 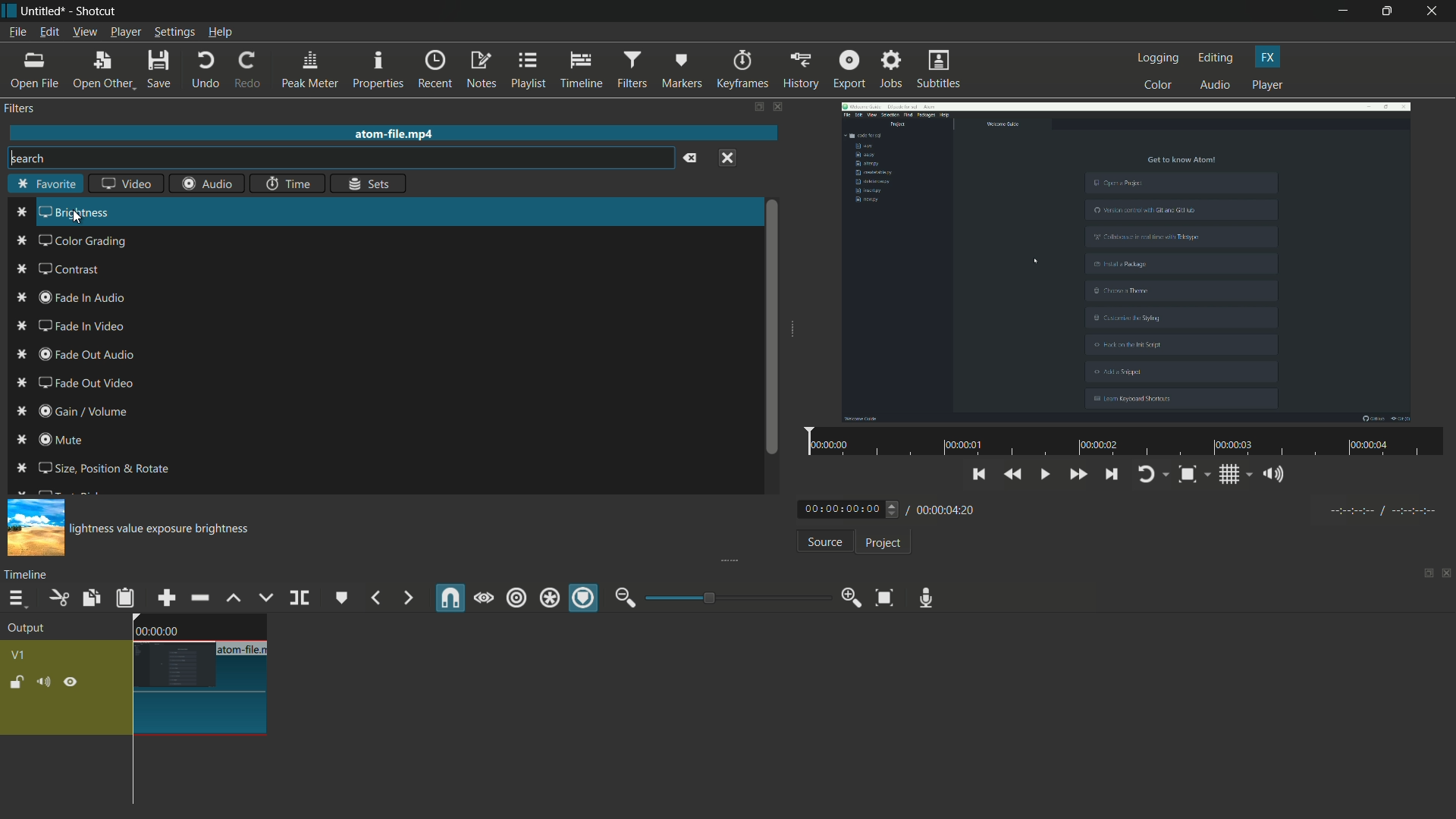 What do you see at coordinates (75, 297) in the screenshot?
I see `fade in audio` at bounding box center [75, 297].